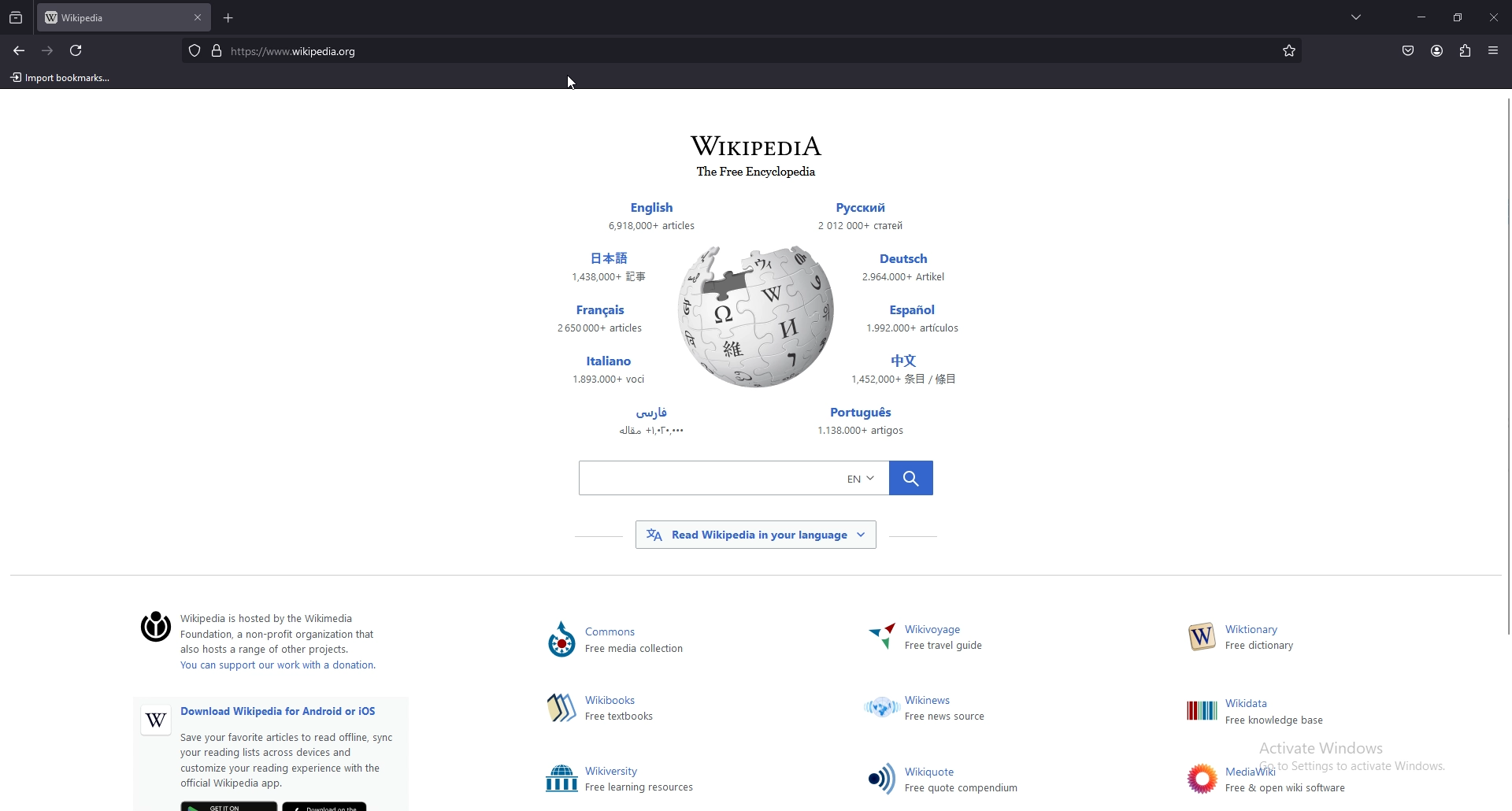  I want to click on digicert verified, so click(218, 50).